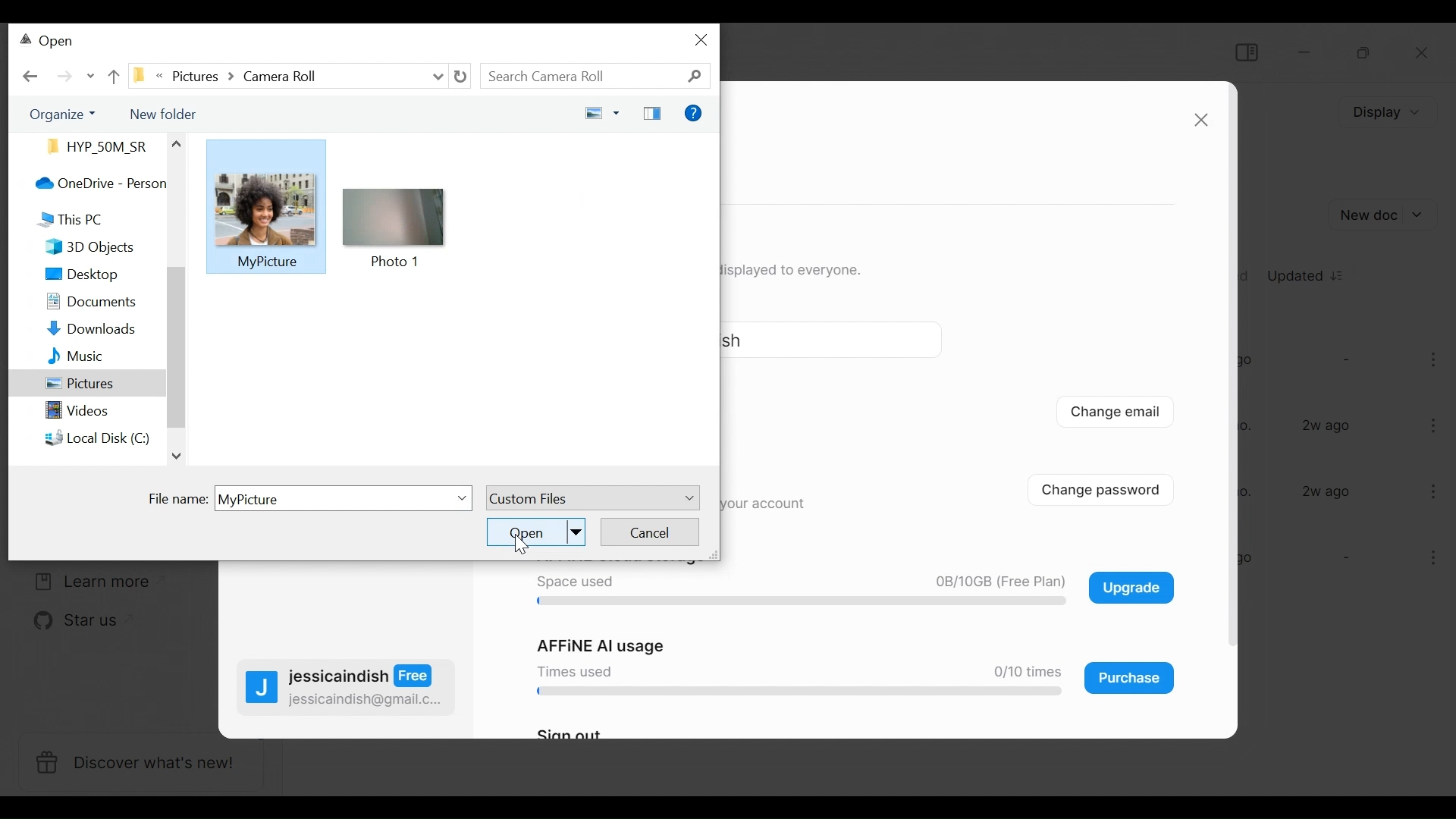  Describe the element at coordinates (652, 115) in the screenshot. I see `Show the preview pane` at that location.